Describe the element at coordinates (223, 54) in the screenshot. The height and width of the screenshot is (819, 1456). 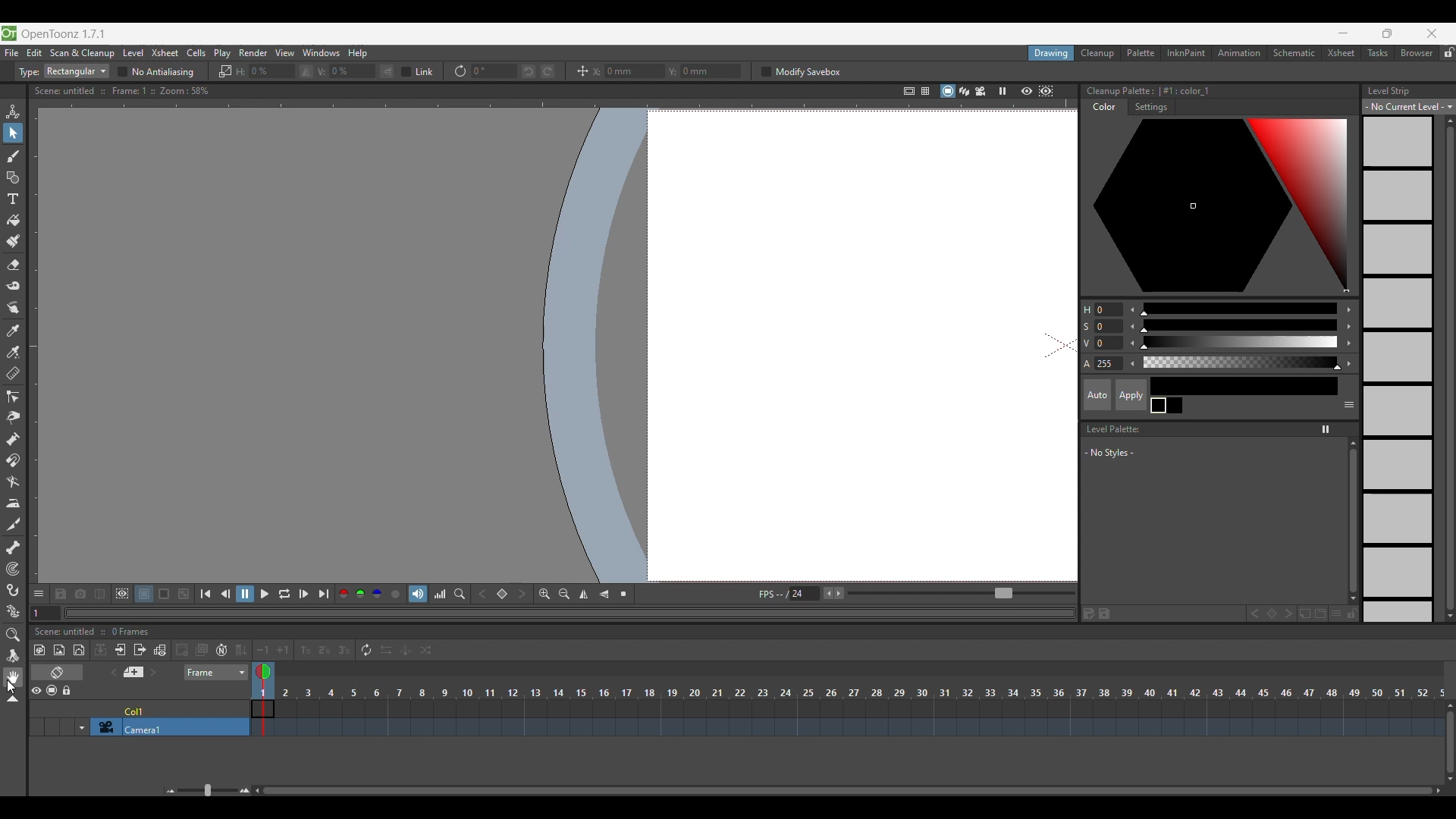
I see `Play` at that location.